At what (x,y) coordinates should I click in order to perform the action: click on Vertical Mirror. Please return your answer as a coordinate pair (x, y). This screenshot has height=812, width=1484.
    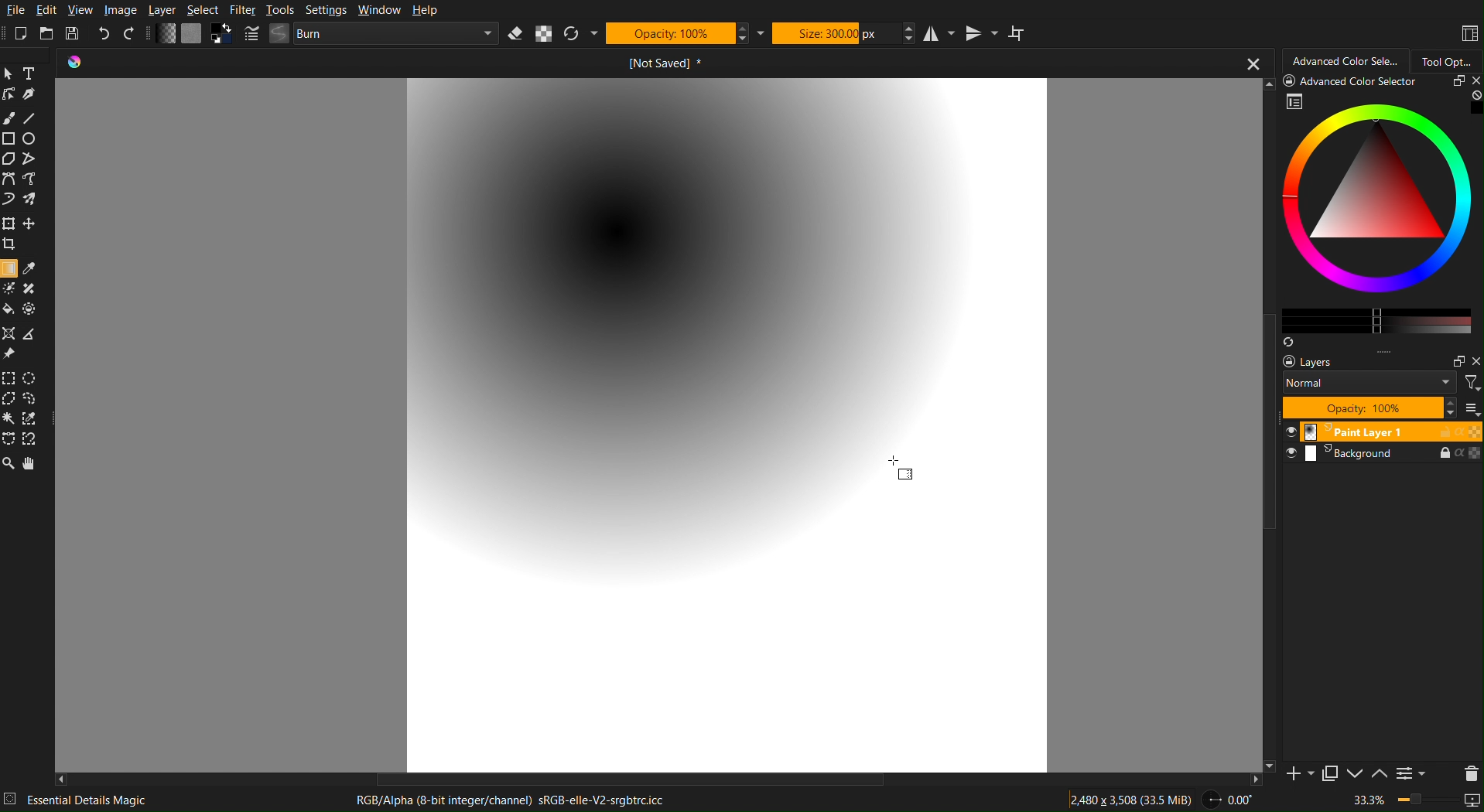
    Looking at the image, I should click on (980, 32).